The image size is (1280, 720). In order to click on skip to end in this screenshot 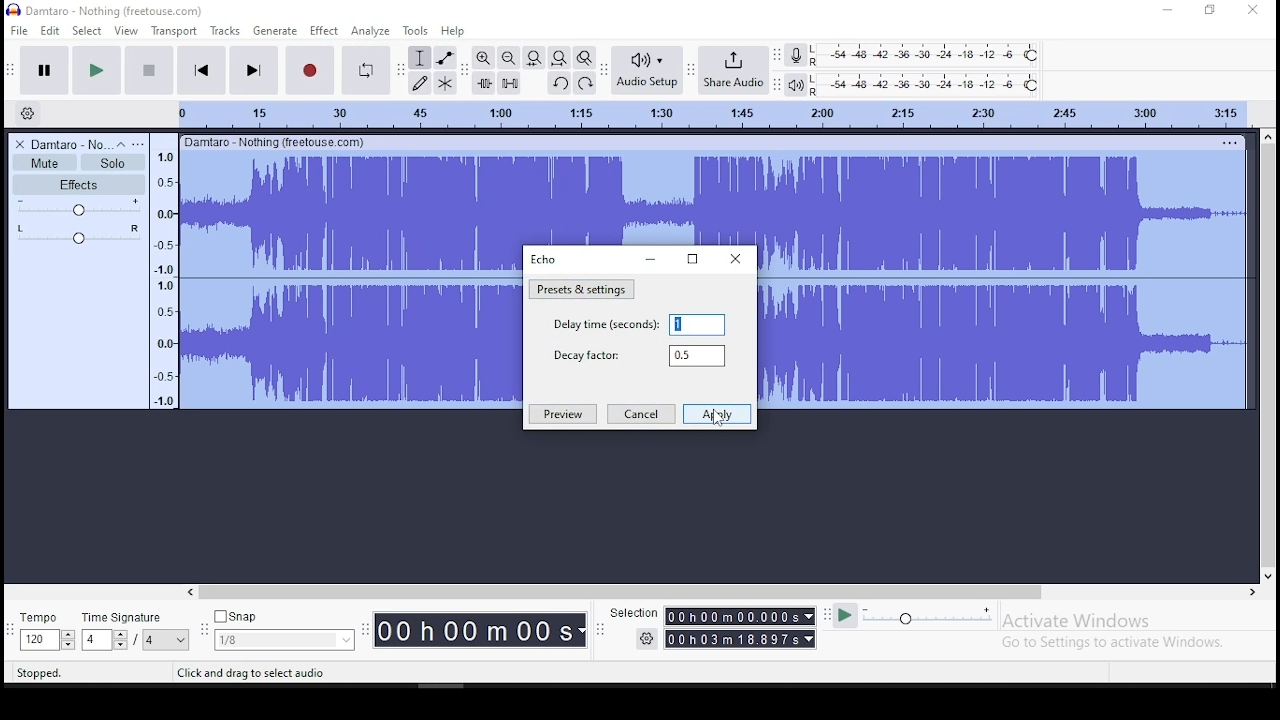, I will do `click(252, 70)`.